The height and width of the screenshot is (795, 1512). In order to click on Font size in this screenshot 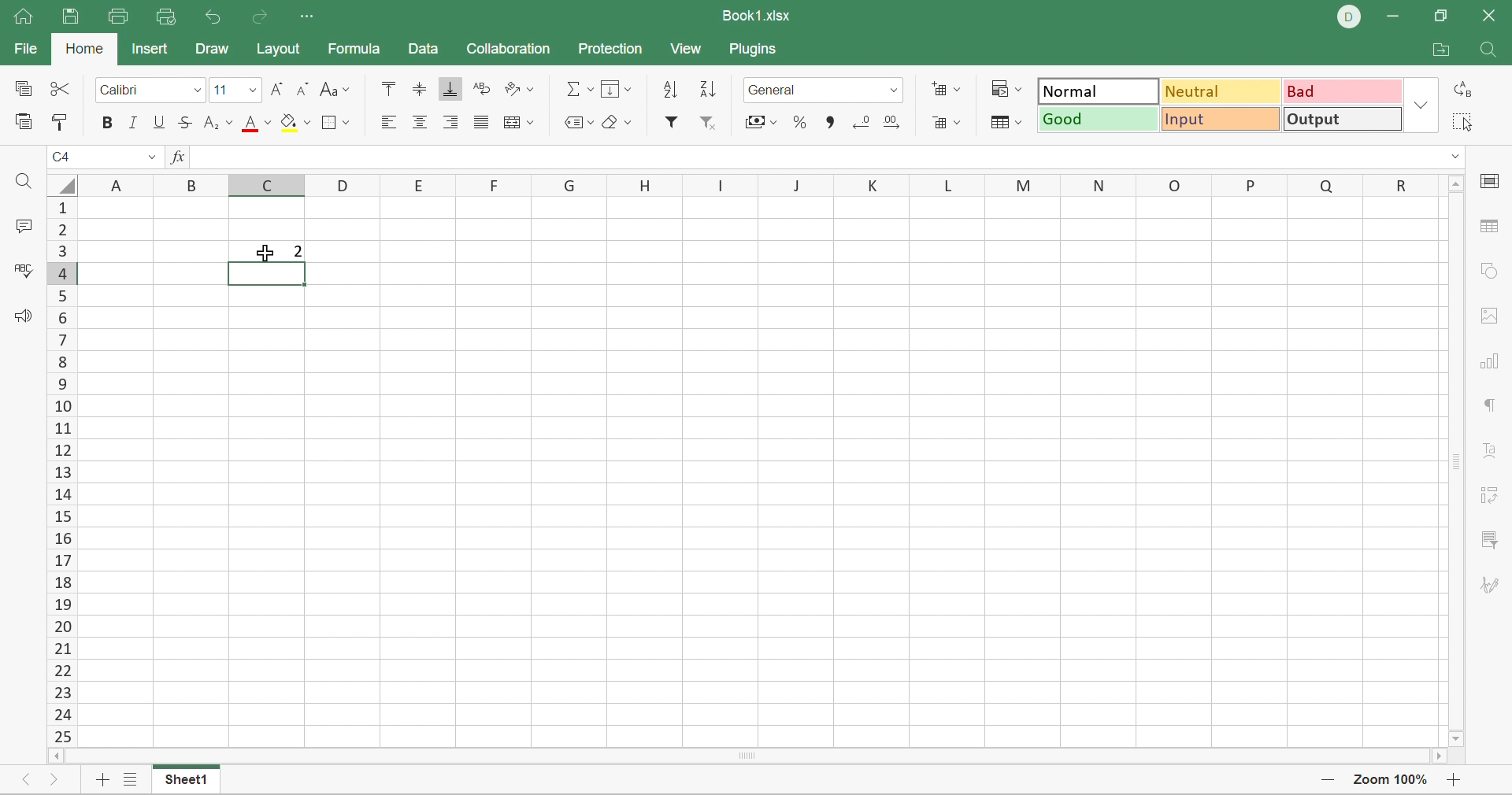, I will do `click(221, 91)`.